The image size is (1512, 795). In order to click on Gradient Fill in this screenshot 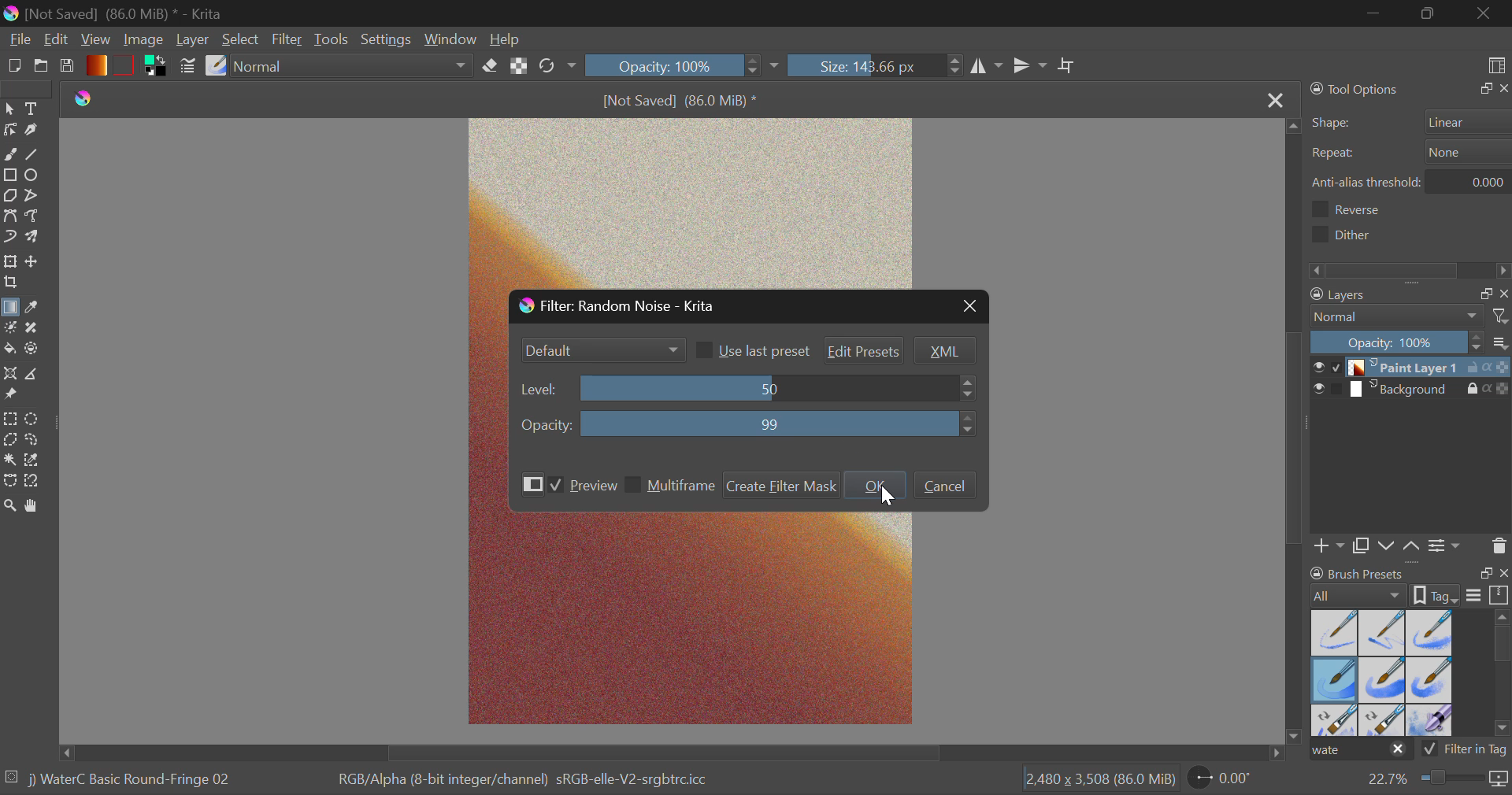, I will do `click(11, 309)`.